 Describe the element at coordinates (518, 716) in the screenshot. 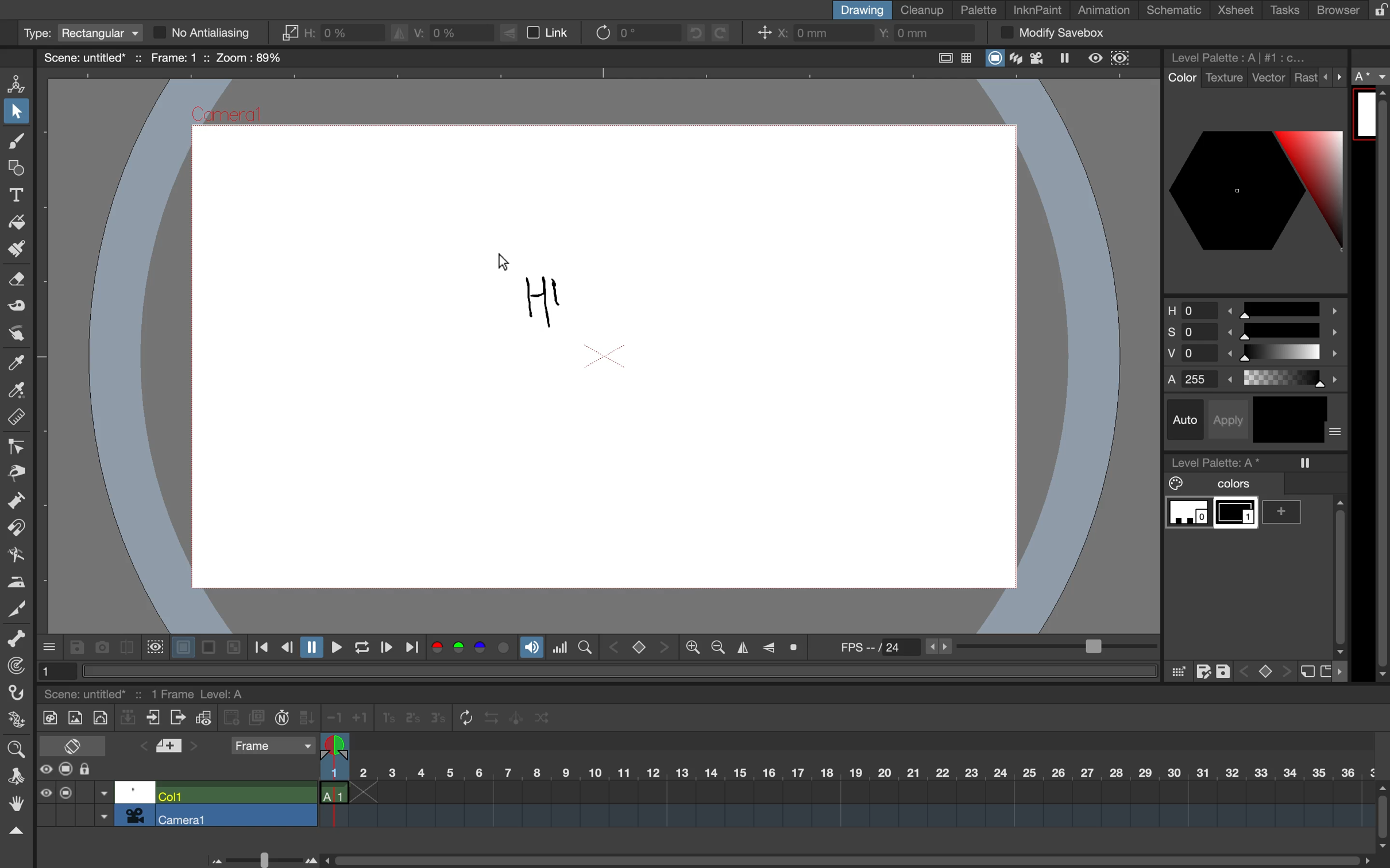

I see `swing` at that location.